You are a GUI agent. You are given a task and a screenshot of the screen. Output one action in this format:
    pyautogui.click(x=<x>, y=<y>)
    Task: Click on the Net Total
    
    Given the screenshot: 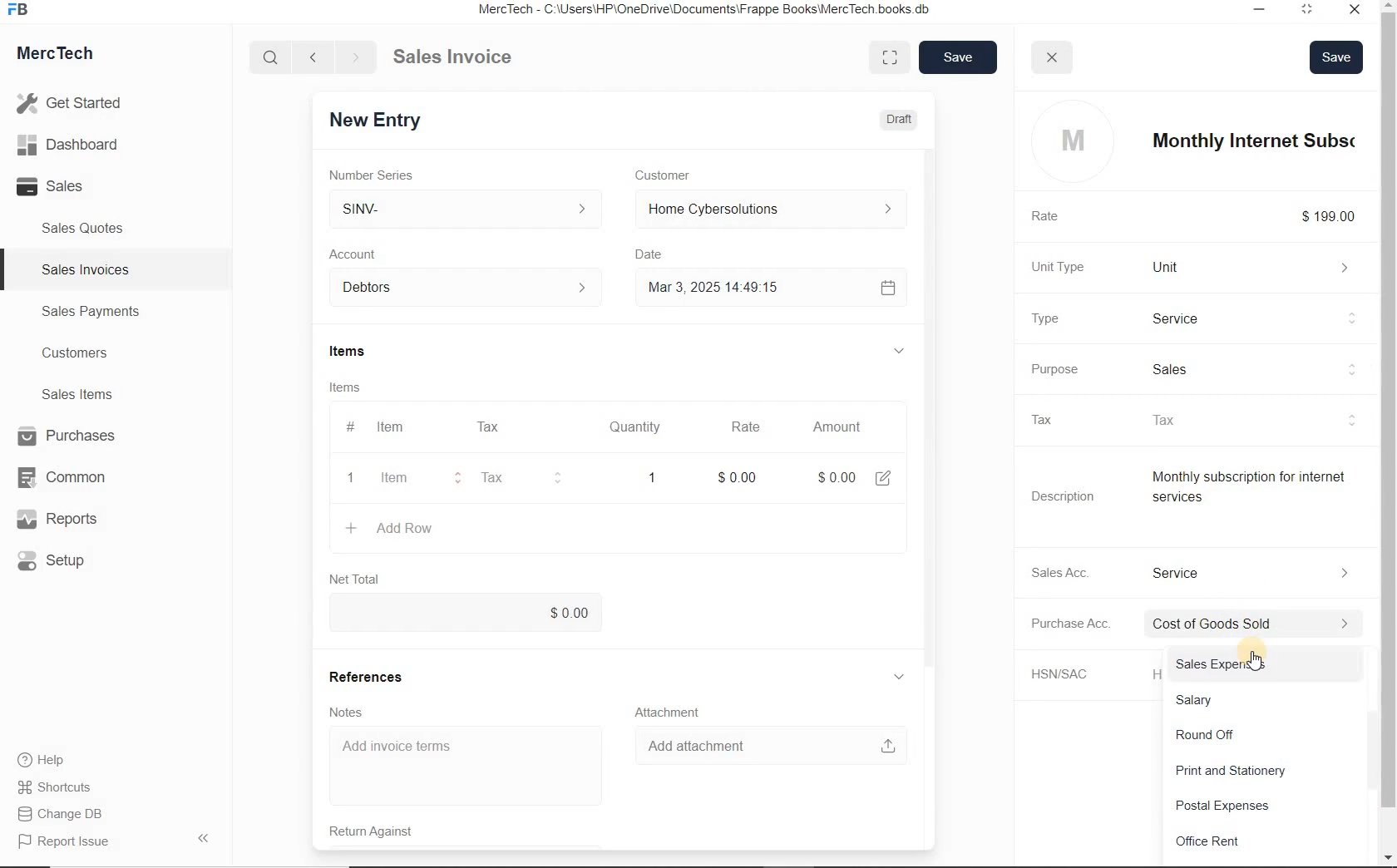 What is the action you would take?
    pyautogui.click(x=362, y=579)
    